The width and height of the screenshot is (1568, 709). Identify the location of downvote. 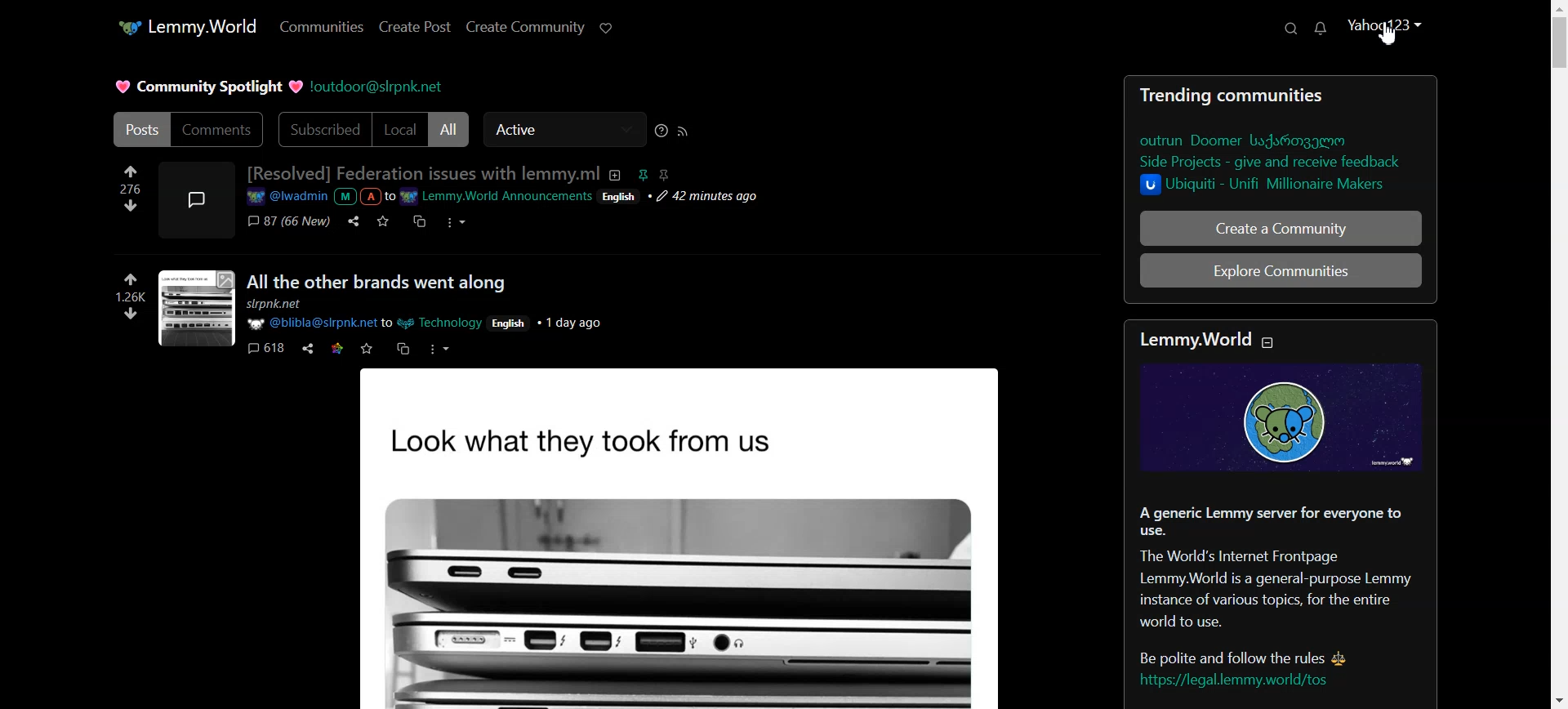
(129, 315).